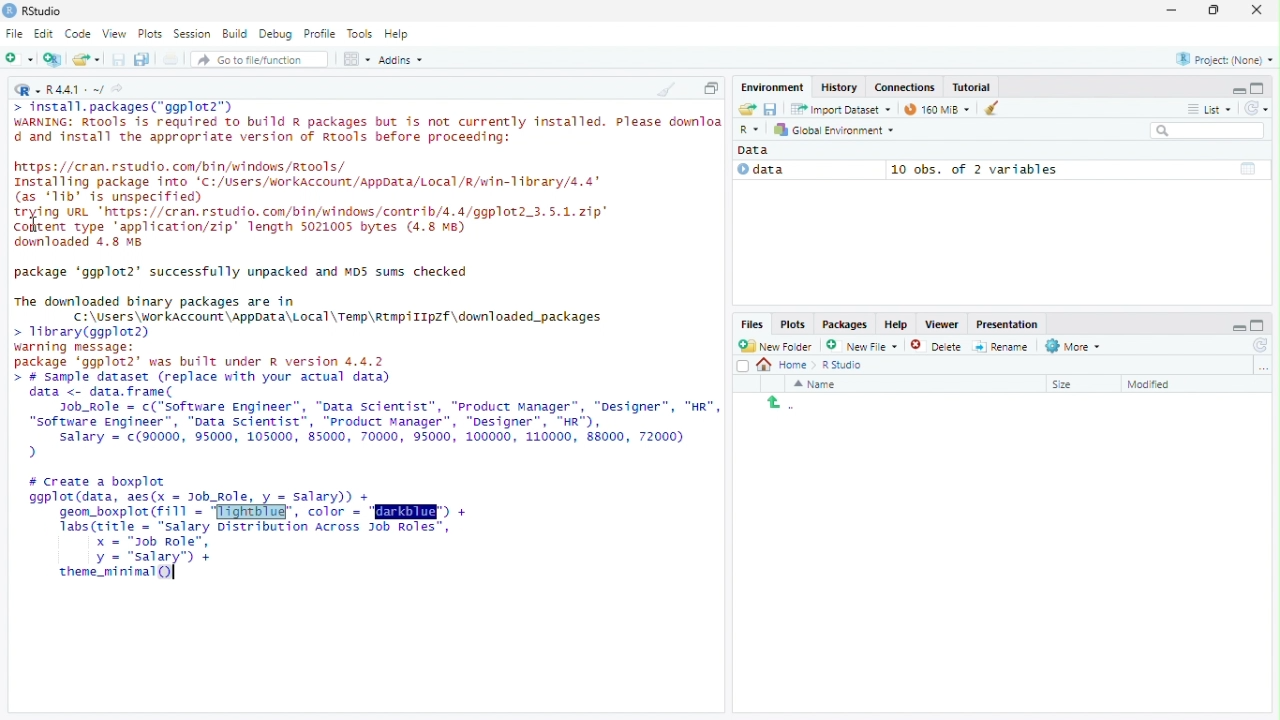 This screenshot has height=720, width=1280. I want to click on View by list, so click(1210, 109).